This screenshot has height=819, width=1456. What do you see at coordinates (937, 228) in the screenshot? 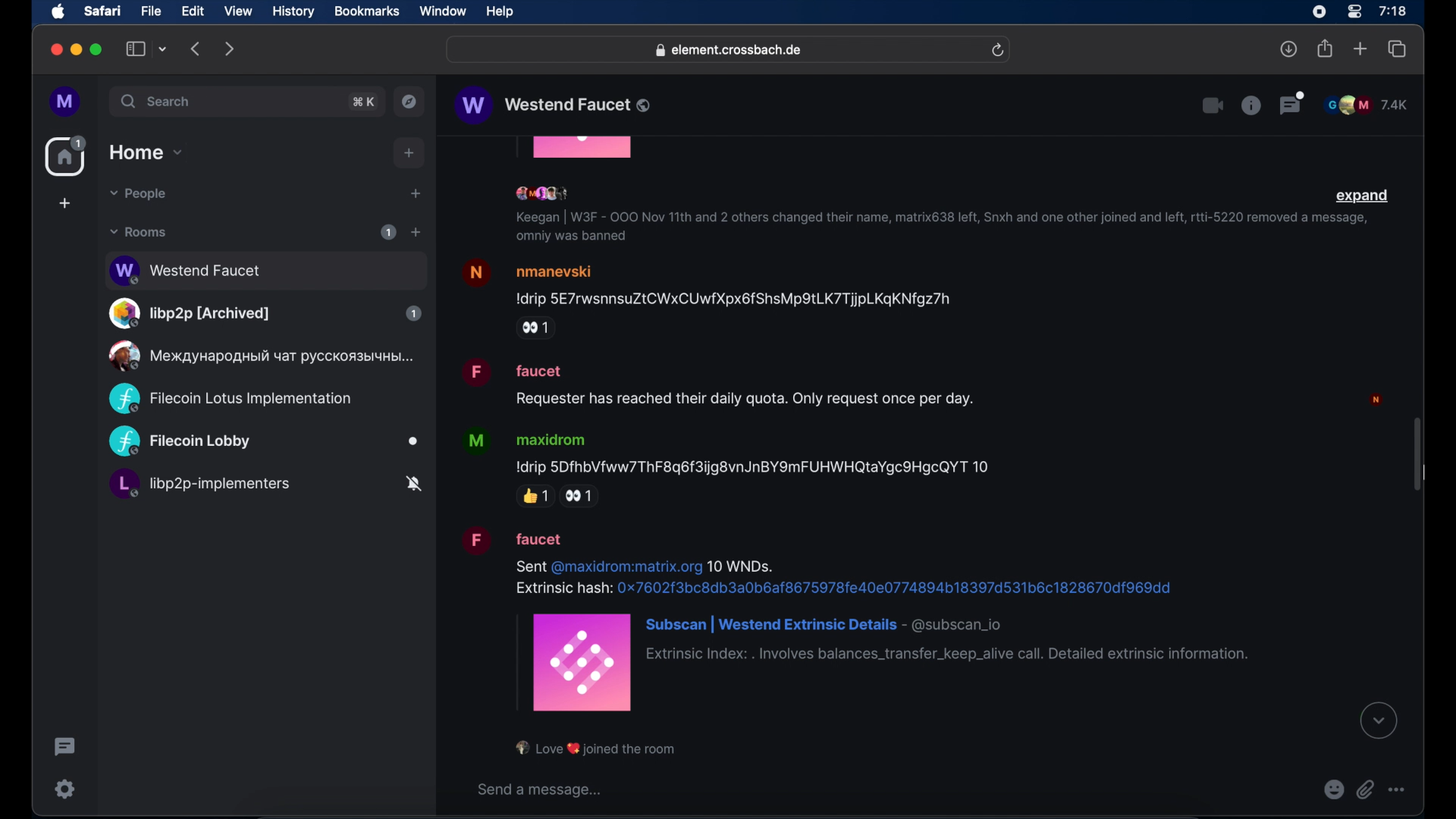
I see `info` at bounding box center [937, 228].